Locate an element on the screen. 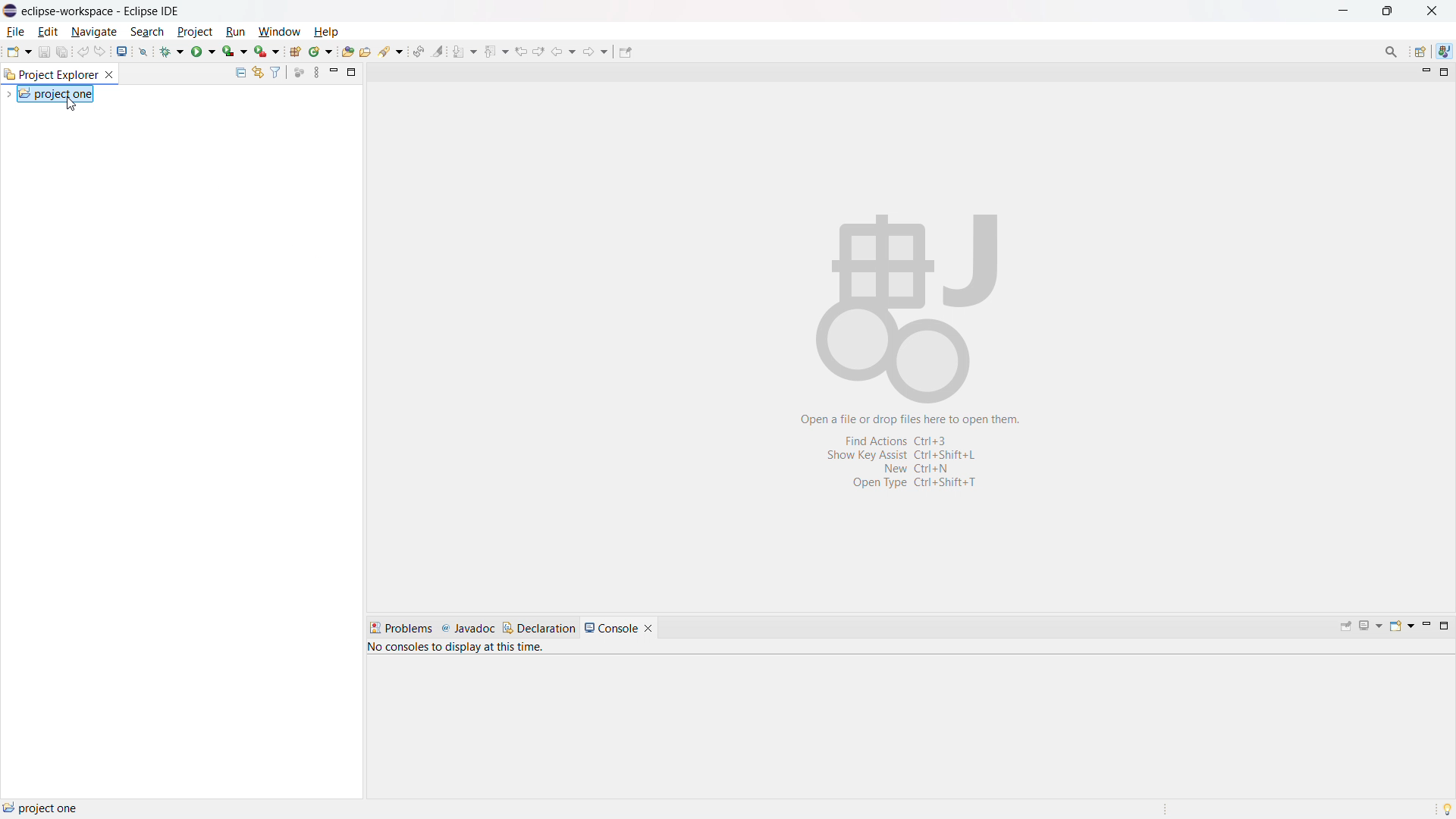 The image size is (1456, 819). search is located at coordinates (391, 52).